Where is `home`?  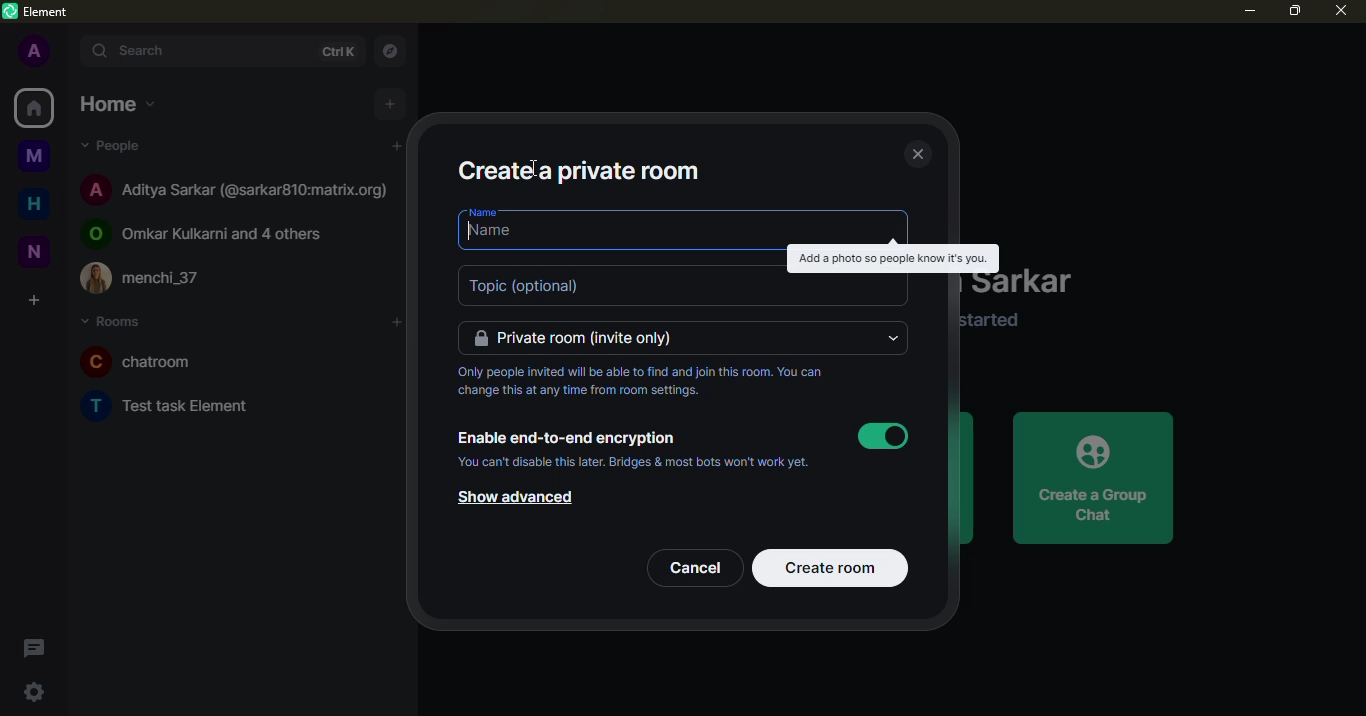 home is located at coordinates (35, 204).